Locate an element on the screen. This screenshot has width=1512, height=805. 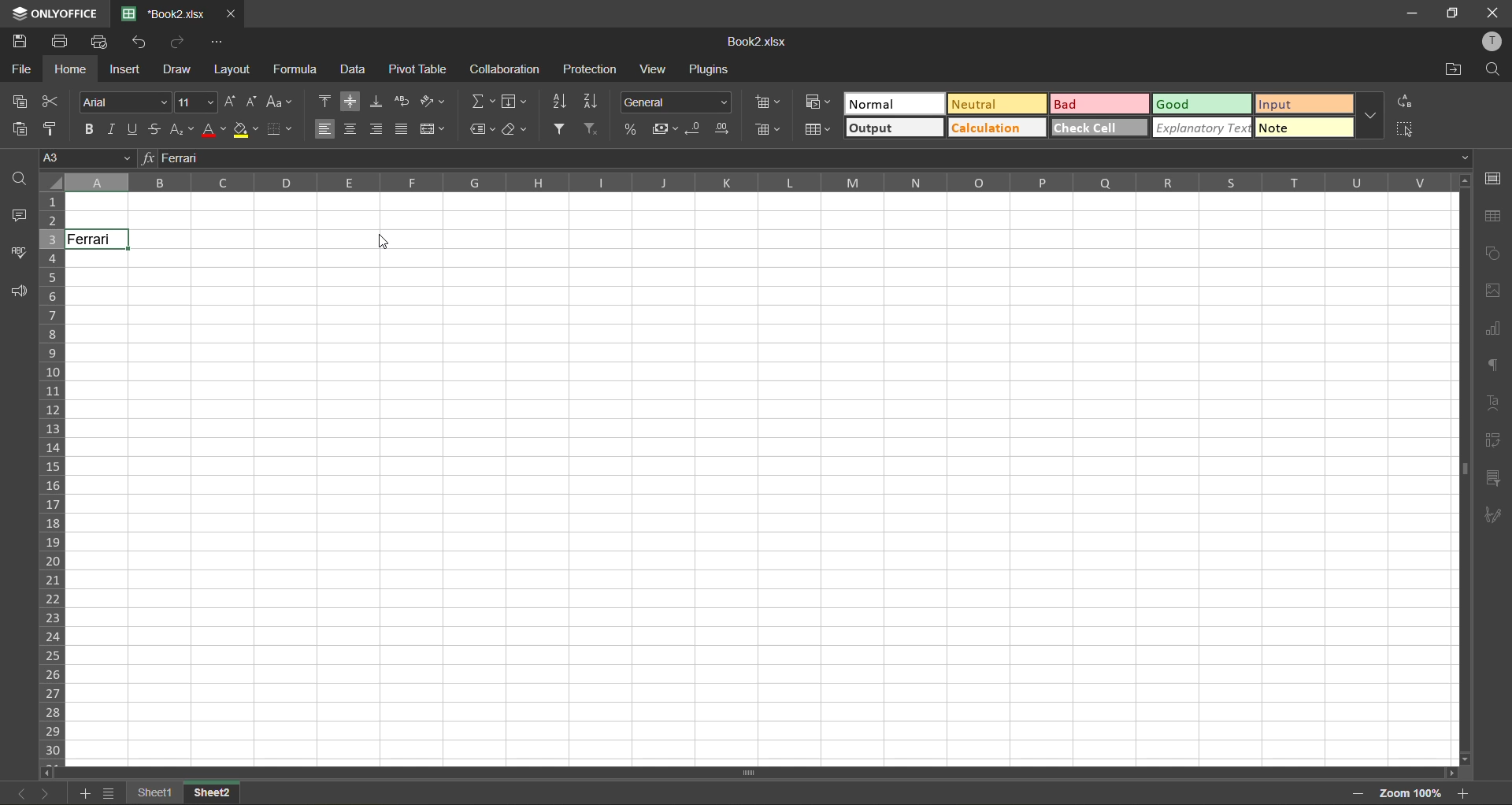
quick print is located at coordinates (101, 42).